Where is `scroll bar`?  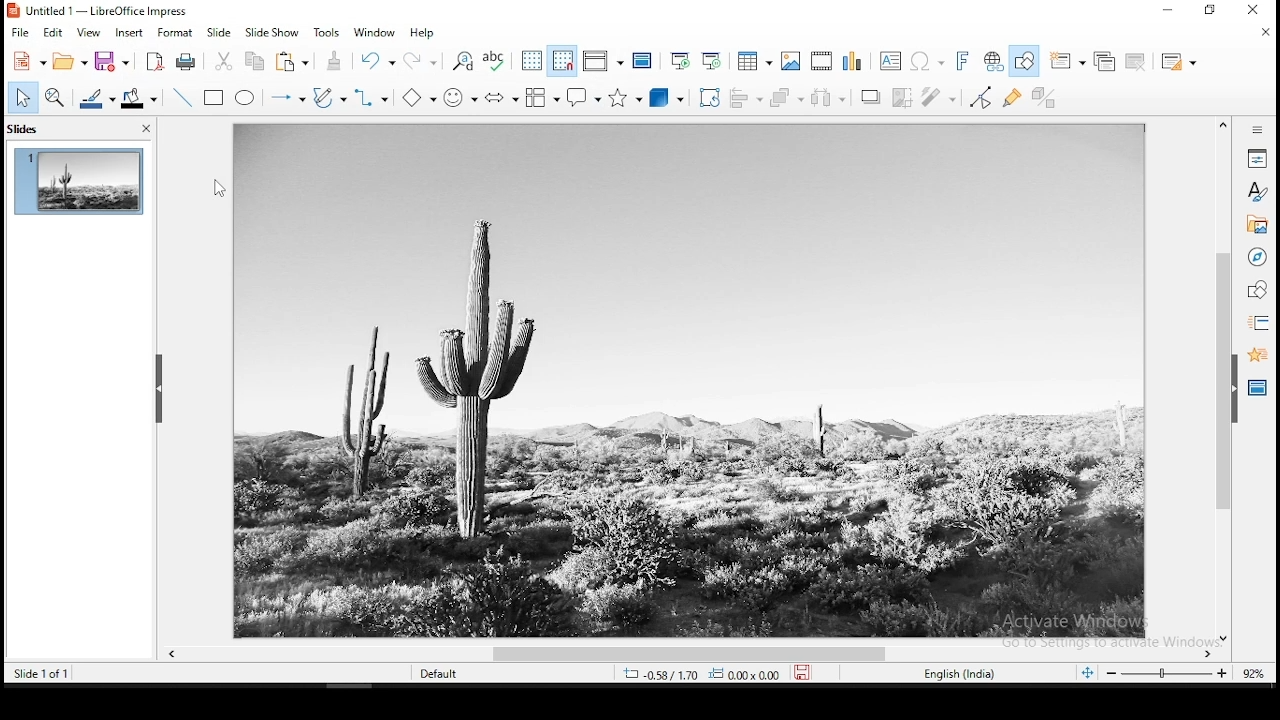 scroll bar is located at coordinates (686, 654).